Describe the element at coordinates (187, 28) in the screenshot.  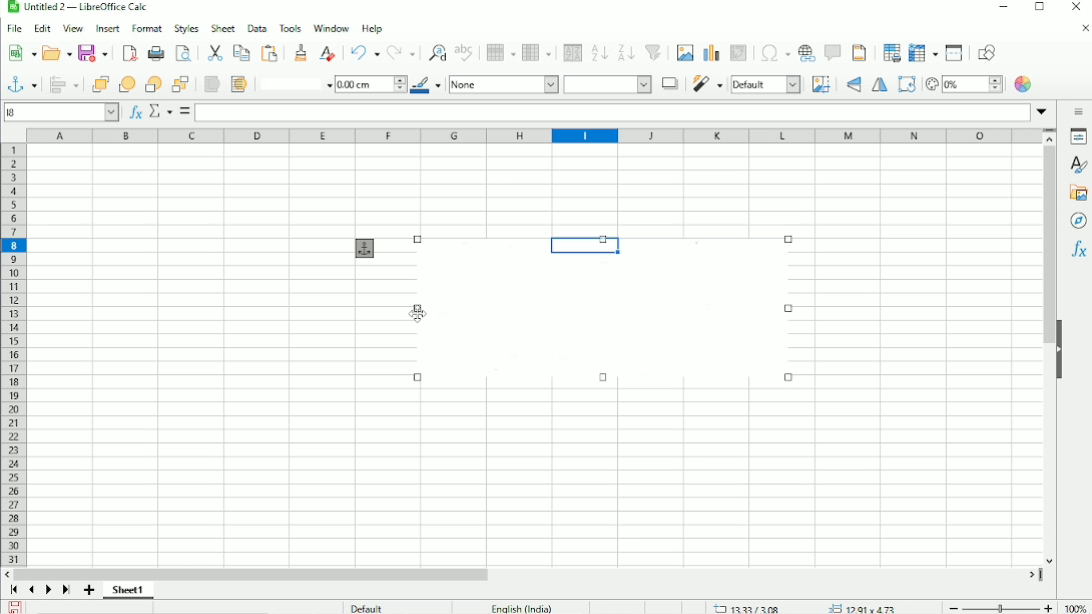
I see `Styles` at that location.